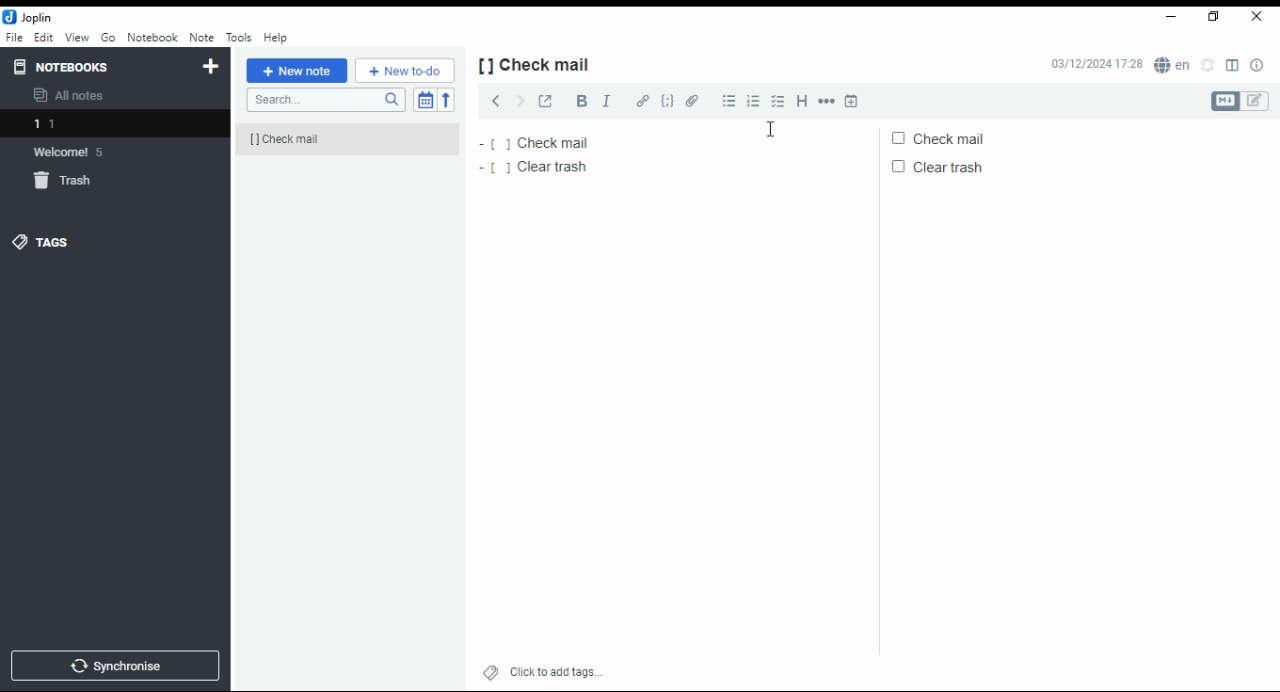 The image size is (1280, 692). Describe the element at coordinates (425, 99) in the screenshot. I see `toggle sort order field` at that location.